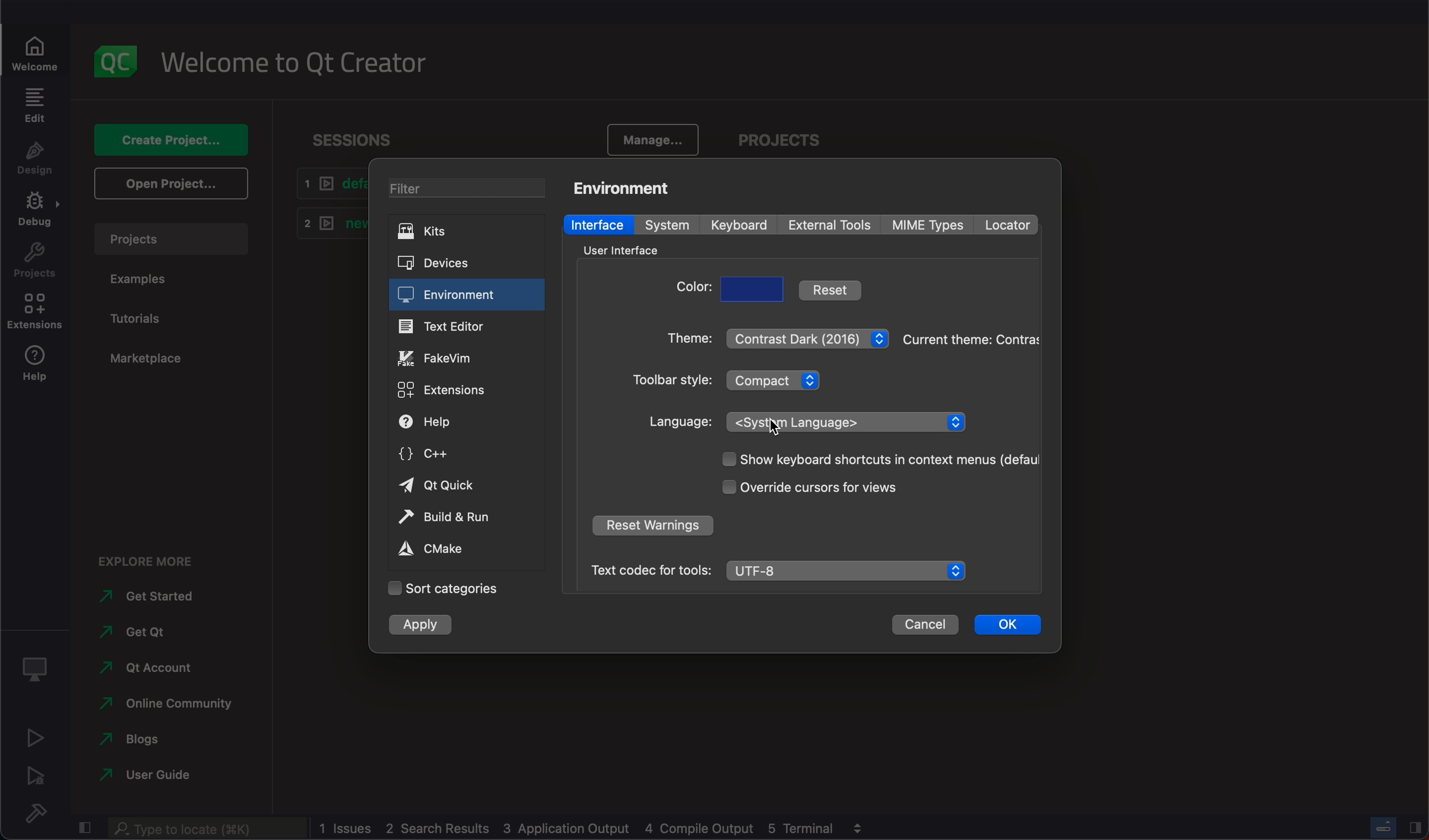 The width and height of the screenshot is (1429, 840). Describe the element at coordinates (625, 248) in the screenshot. I see `interface` at that location.